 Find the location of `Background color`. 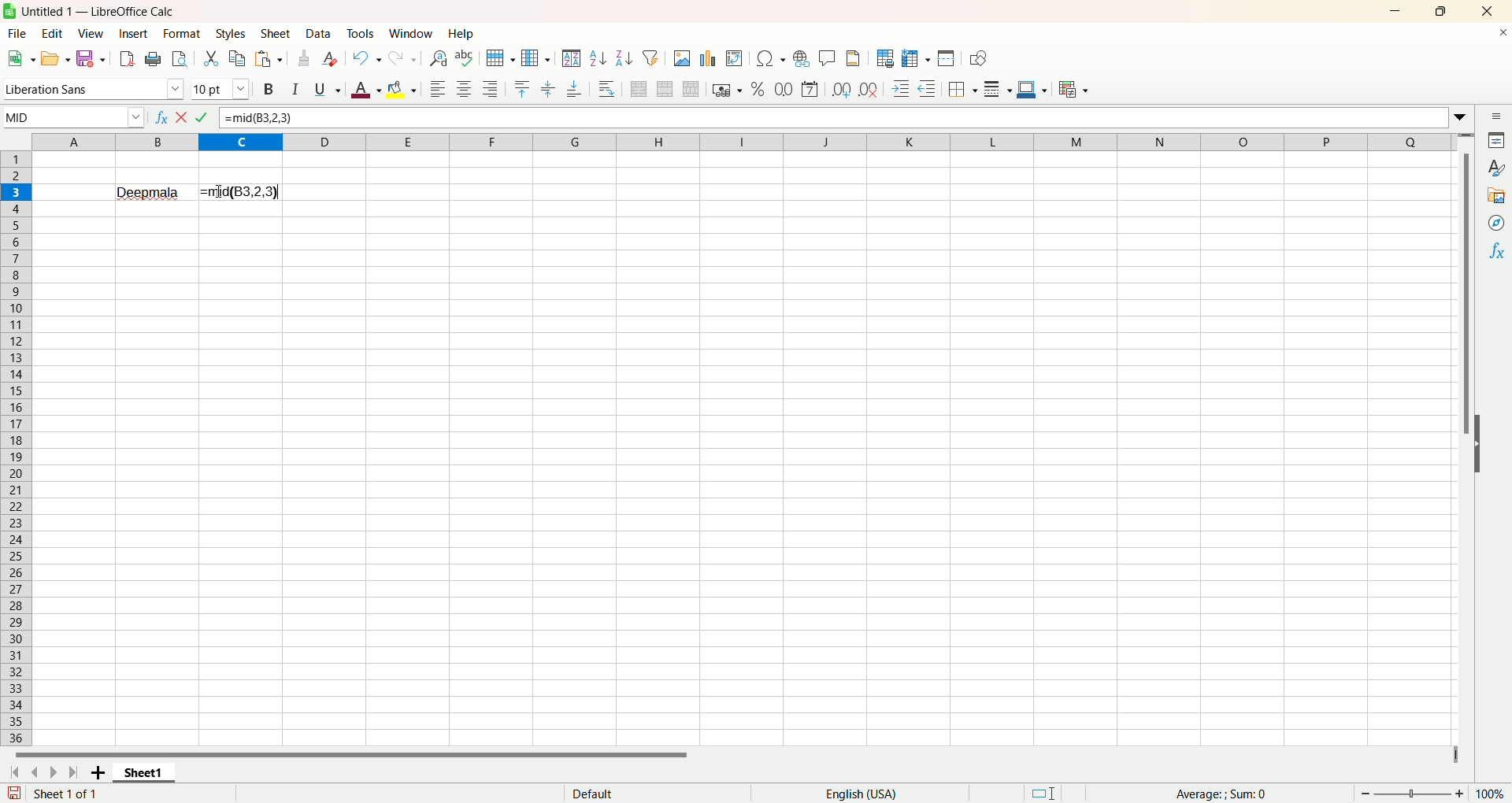

Background color is located at coordinates (401, 90).